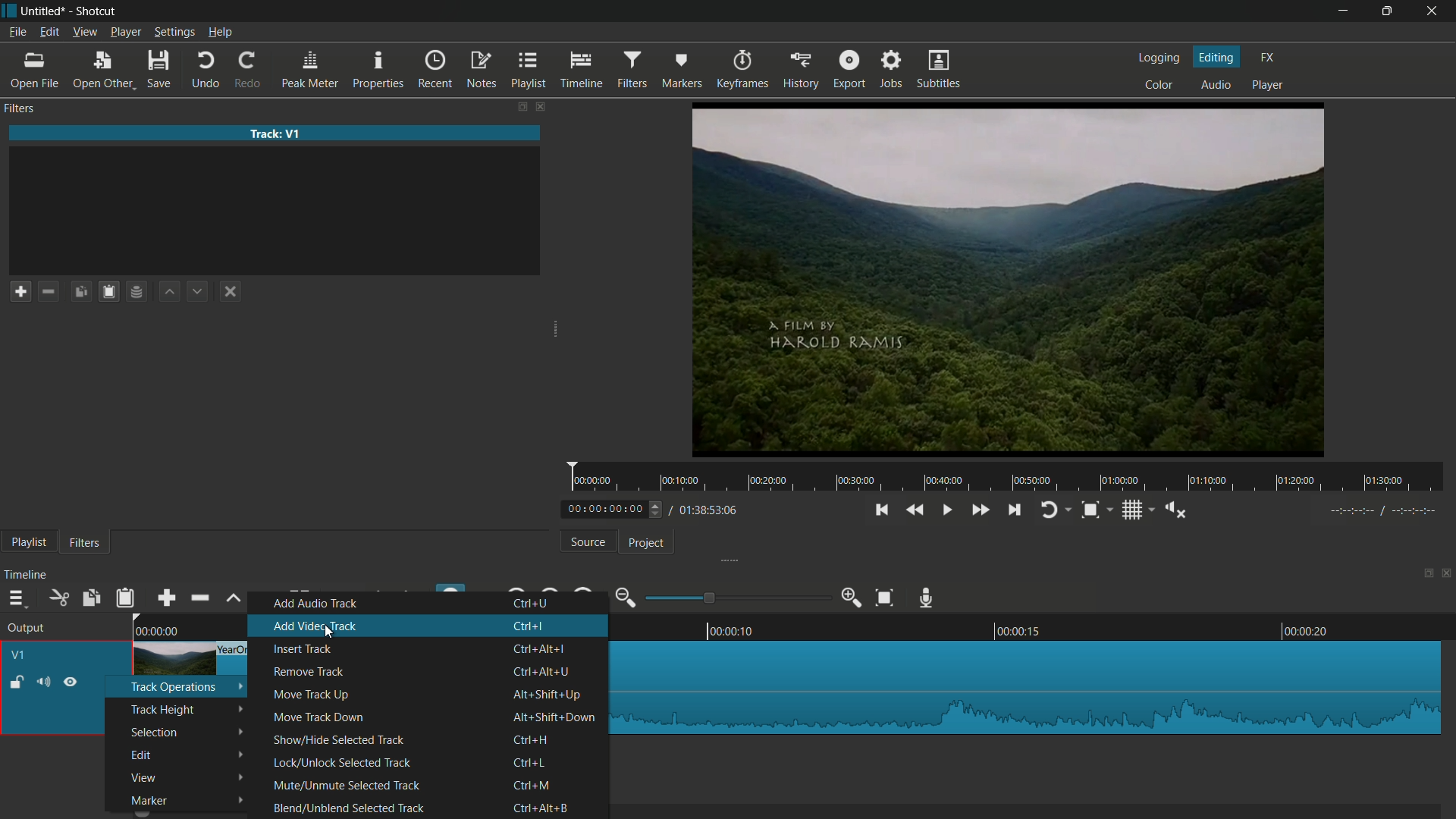  I want to click on subtitles, so click(940, 71).